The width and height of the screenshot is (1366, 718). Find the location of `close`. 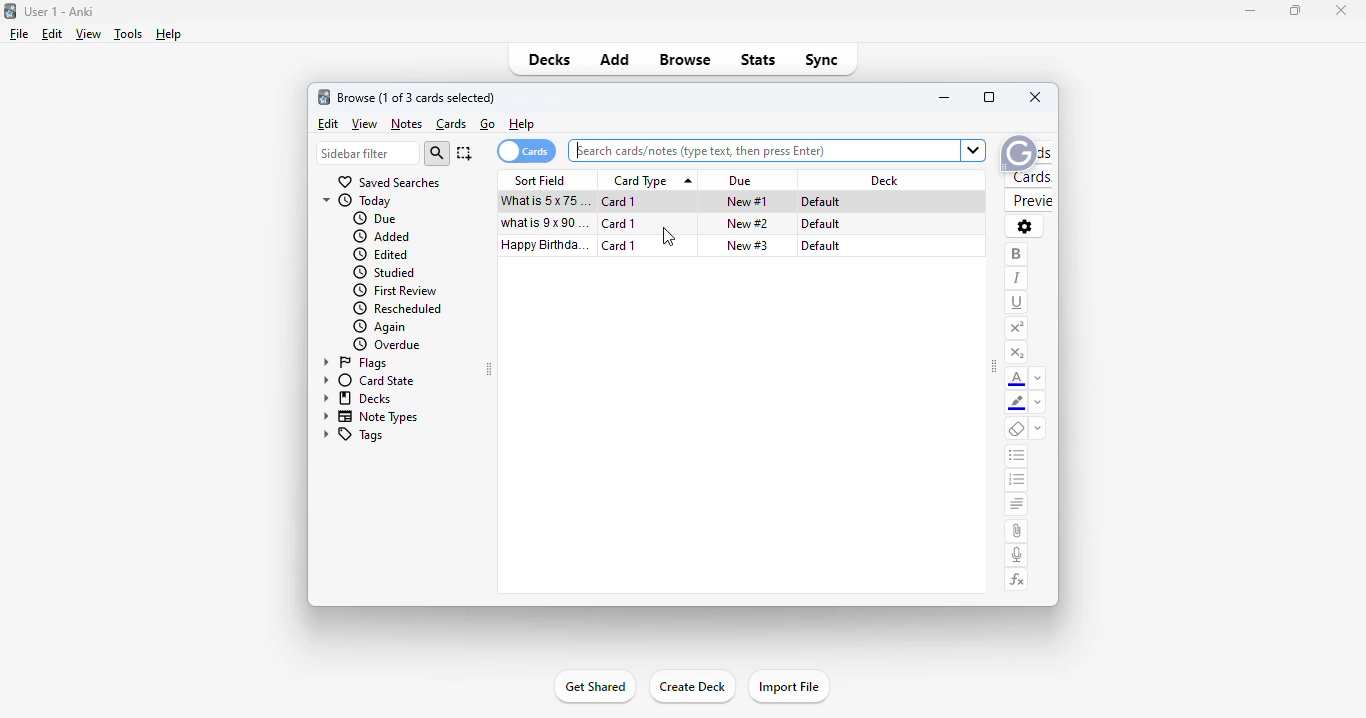

close is located at coordinates (1343, 11).